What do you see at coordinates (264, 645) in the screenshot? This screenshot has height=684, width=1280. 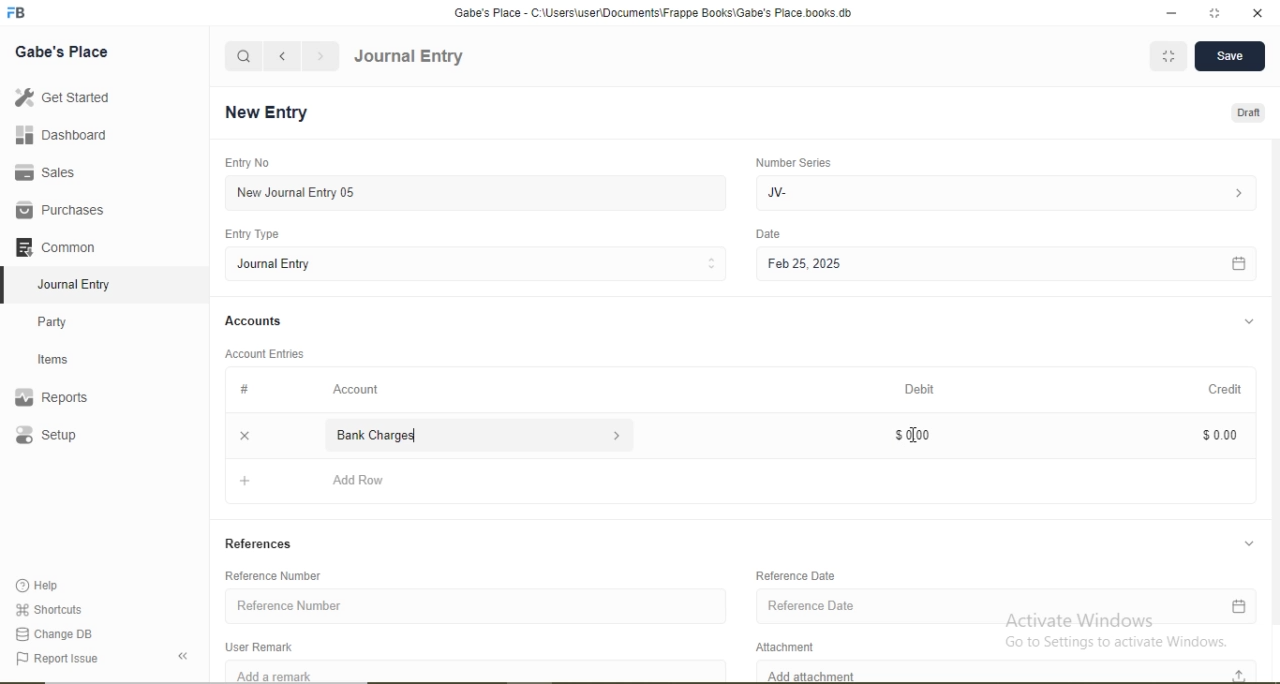 I see `User Remark` at bounding box center [264, 645].